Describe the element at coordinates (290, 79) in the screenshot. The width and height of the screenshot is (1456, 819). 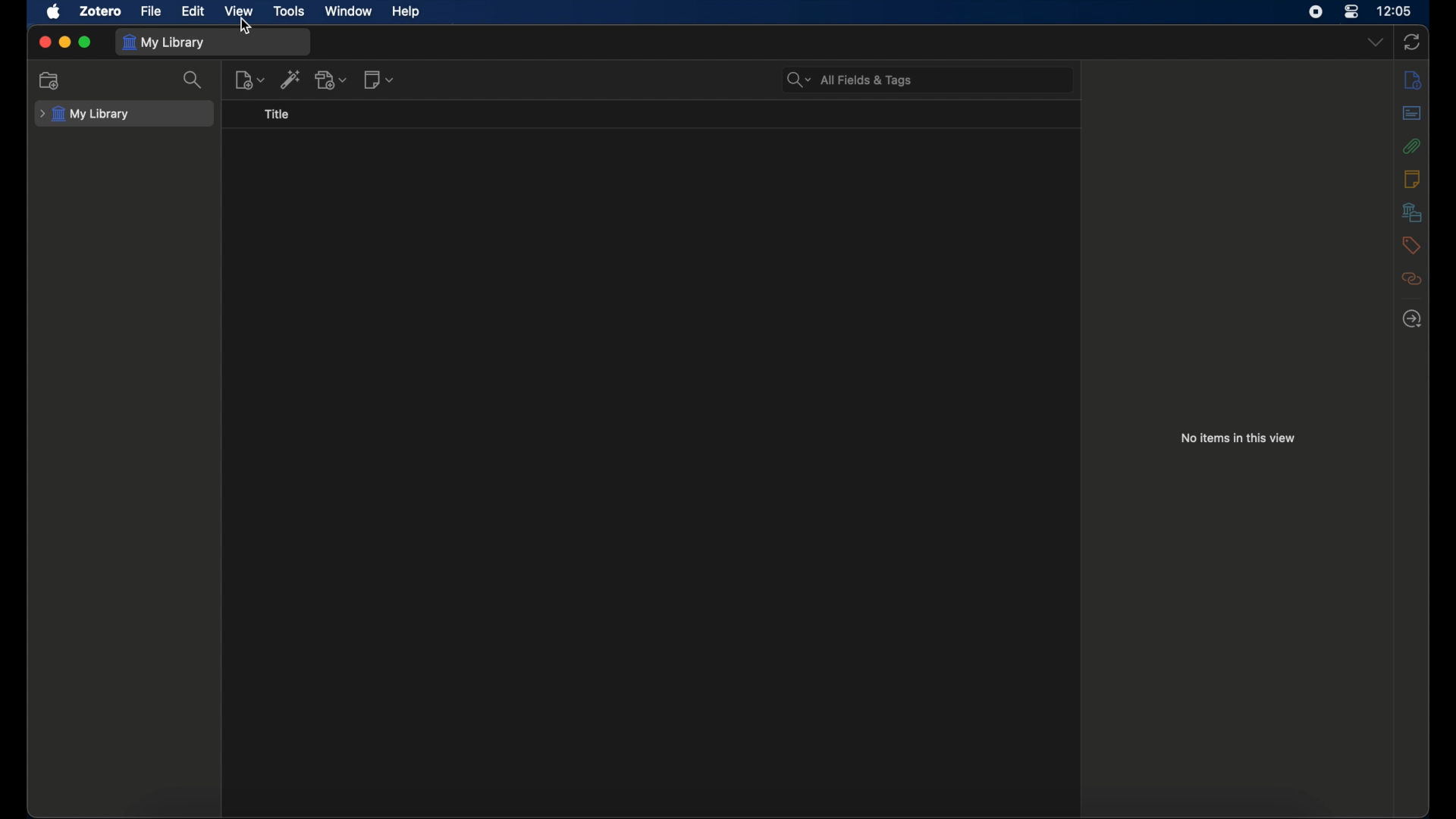
I see `add item by identifier` at that location.